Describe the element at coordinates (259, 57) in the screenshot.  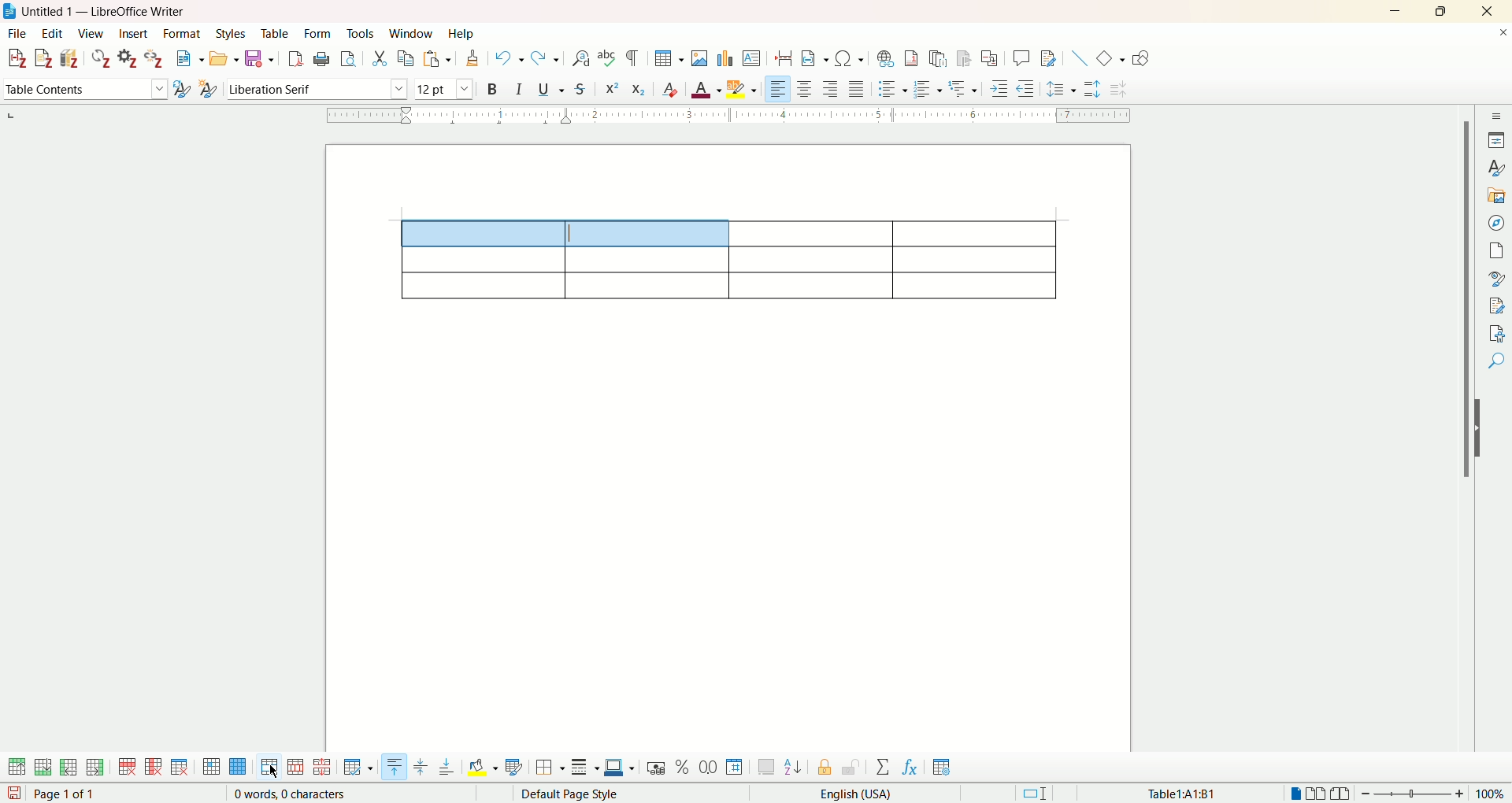
I see `save` at that location.